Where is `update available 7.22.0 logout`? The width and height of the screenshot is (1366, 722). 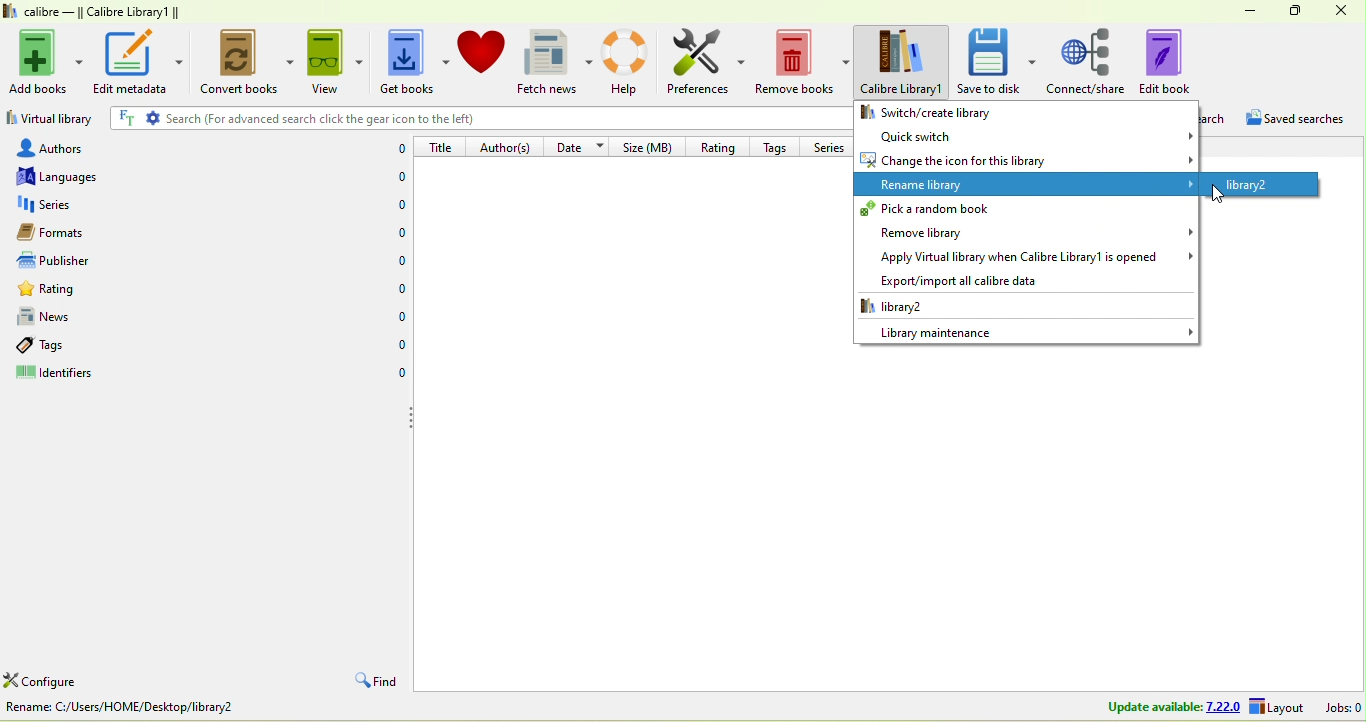
update available 7.22.0 logout is located at coordinates (1199, 708).